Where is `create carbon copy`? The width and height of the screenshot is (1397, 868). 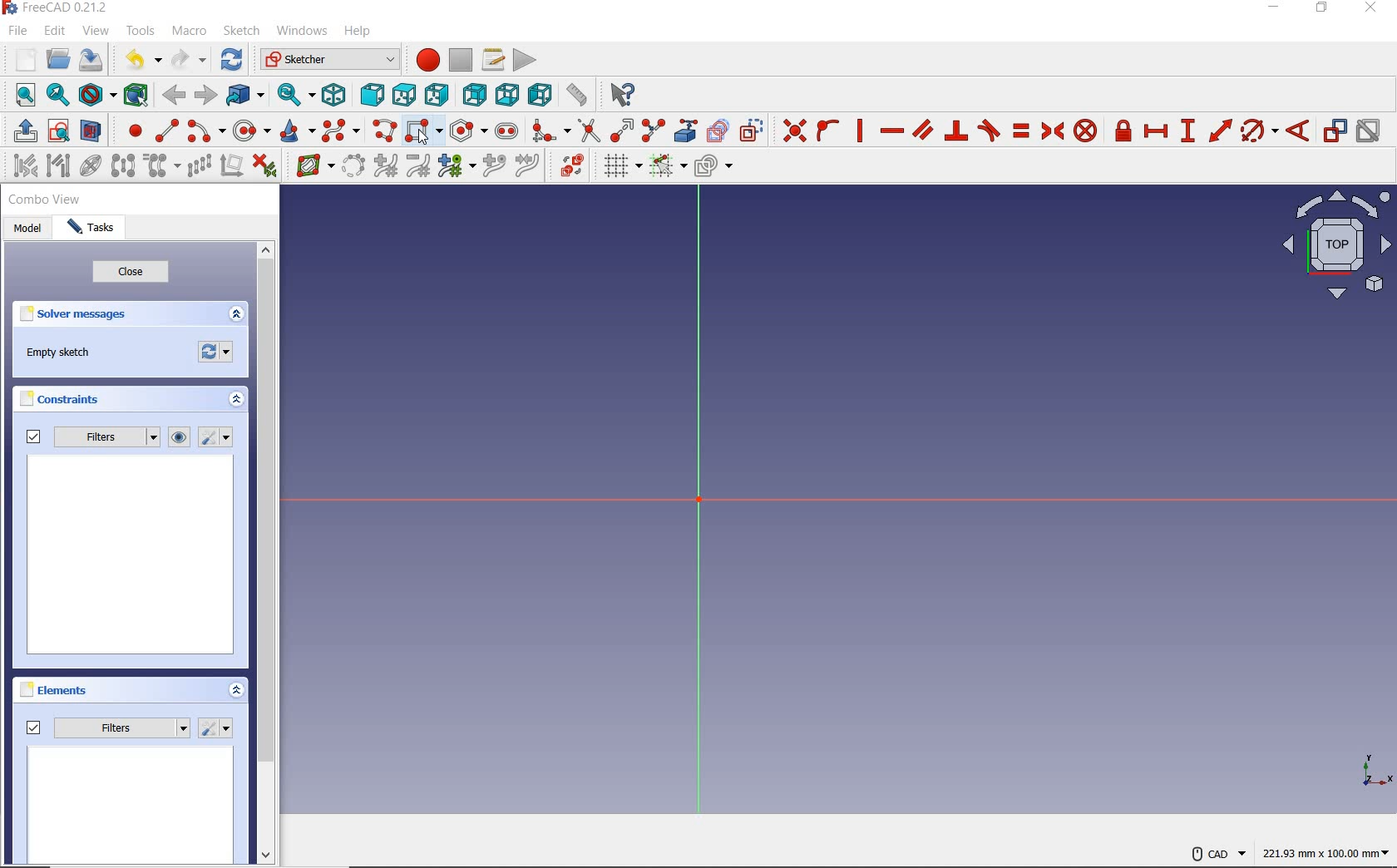 create carbon copy is located at coordinates (718, 131).